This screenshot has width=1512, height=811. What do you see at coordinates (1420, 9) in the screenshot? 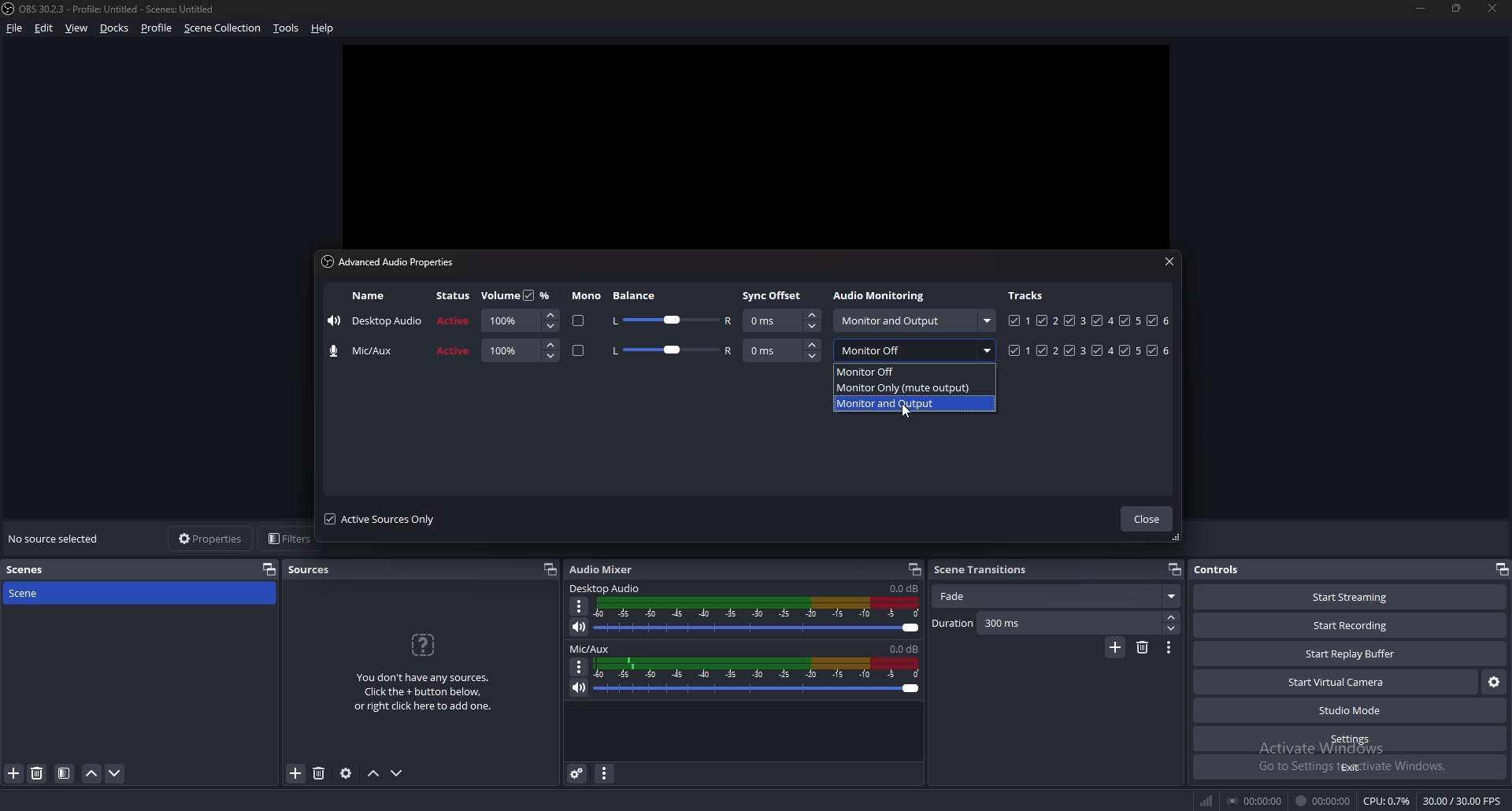
I see `minimize` at bounding box center [1420, 9].